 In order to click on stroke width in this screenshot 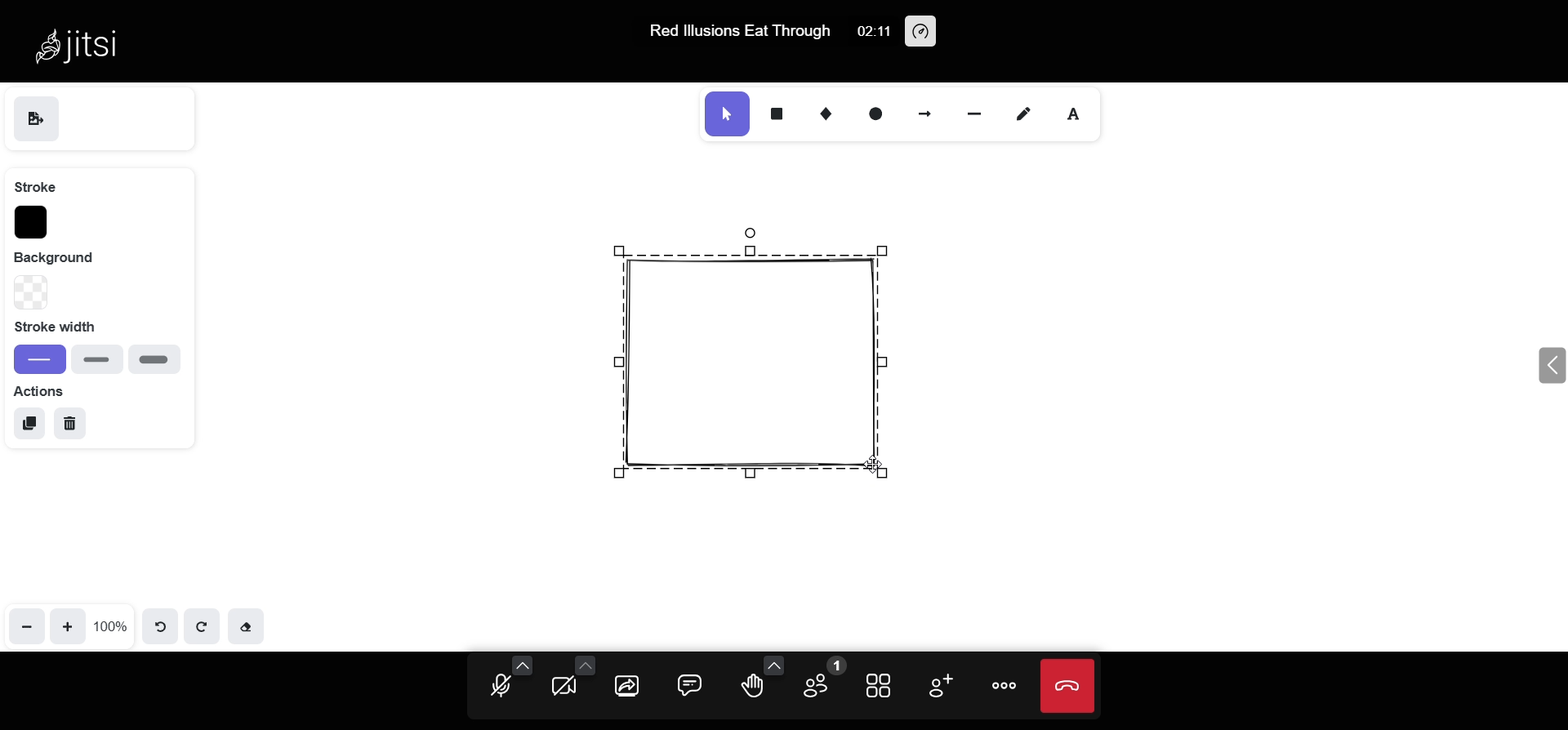, I will do `click(64, 325)`.